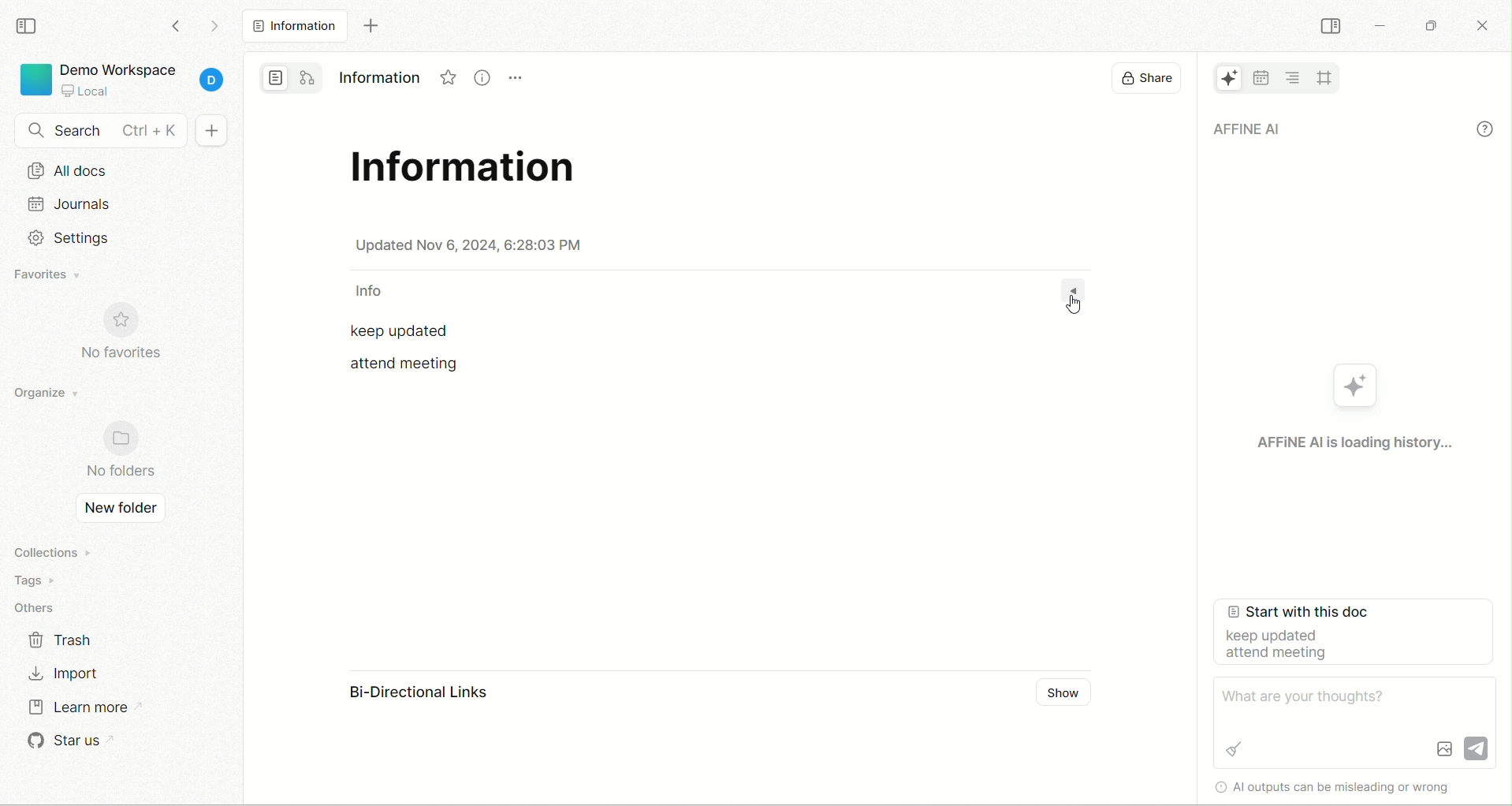 This screenshot has height=806, width=1512. I want to click on page mode, so click(274, 78).